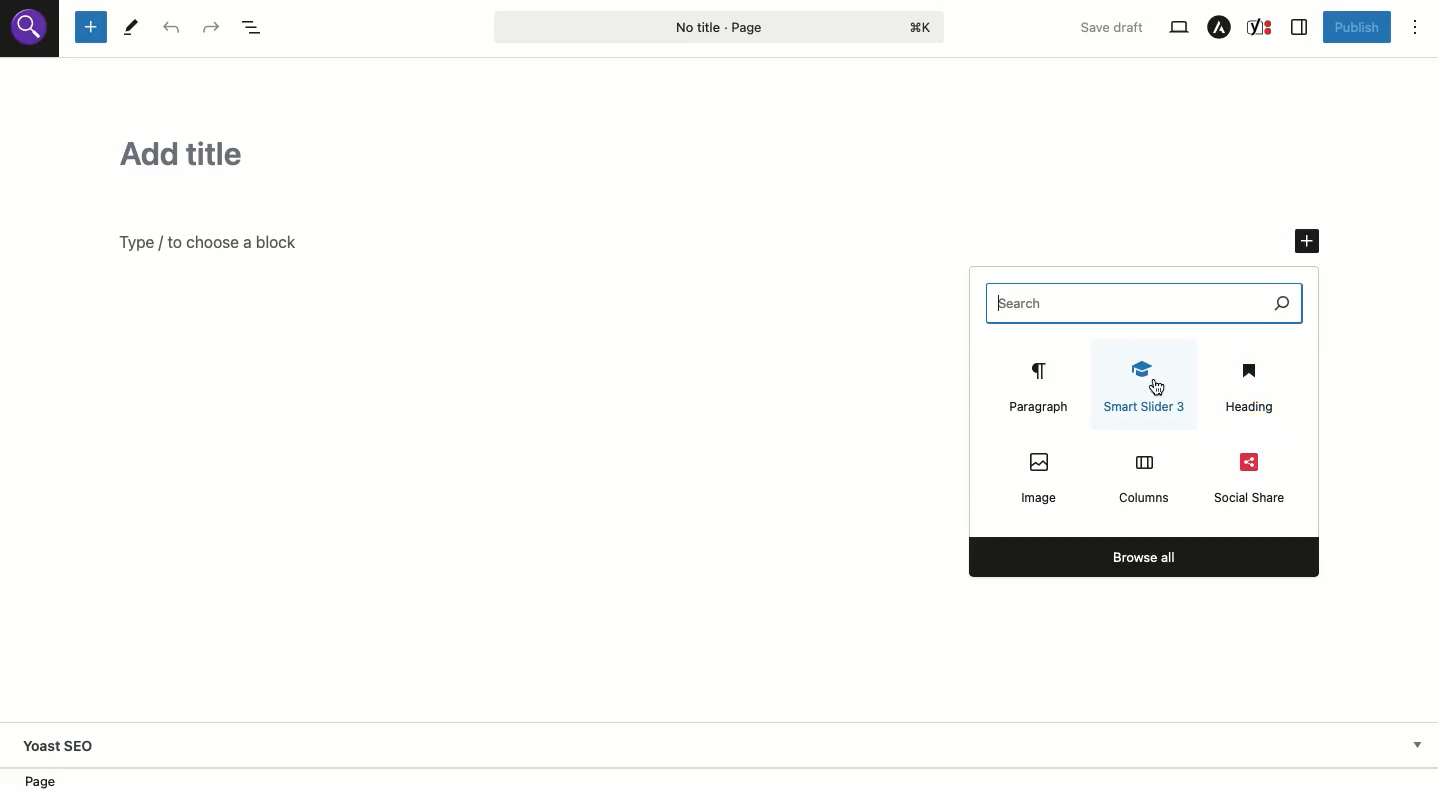 This screenshot has width=1438, height=792. Describe the element at coordinates (1249, 387) in the screenshot. I see `Heading` at that location.